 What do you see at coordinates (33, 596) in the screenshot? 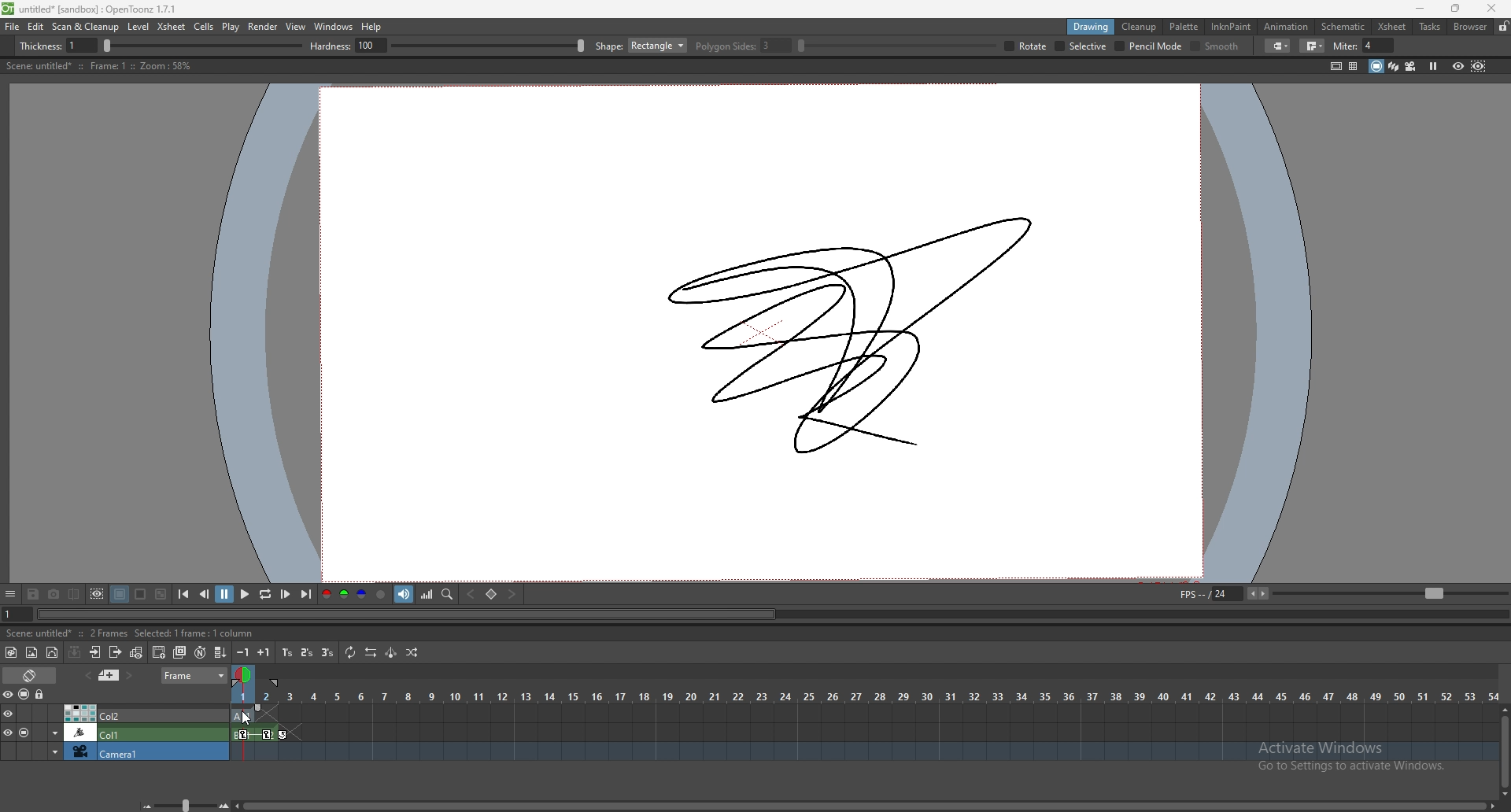
I see `save` at bounding box center [33, 596].